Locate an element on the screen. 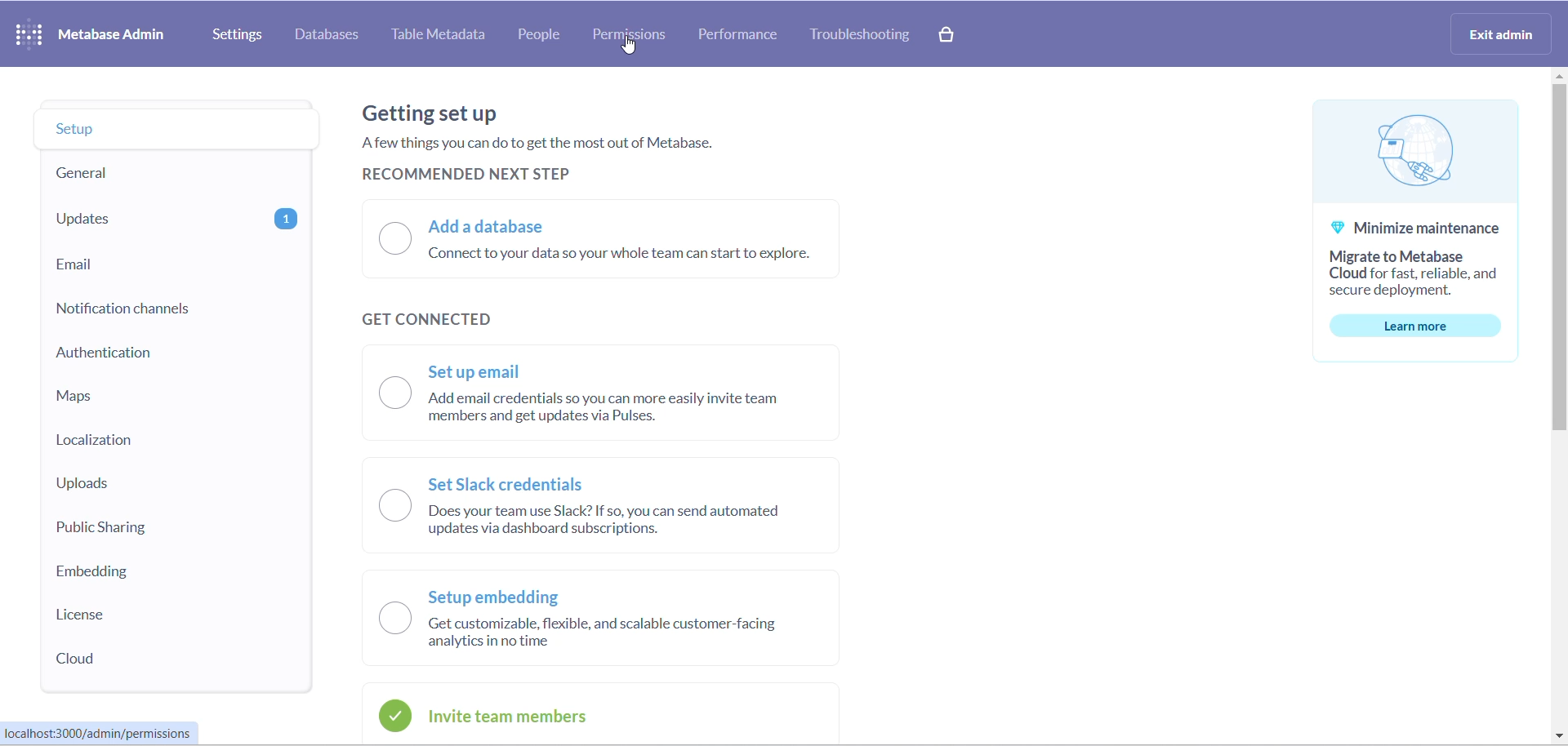 The image size is (1568, 746). notification channels is located at coordinates (151, 309).